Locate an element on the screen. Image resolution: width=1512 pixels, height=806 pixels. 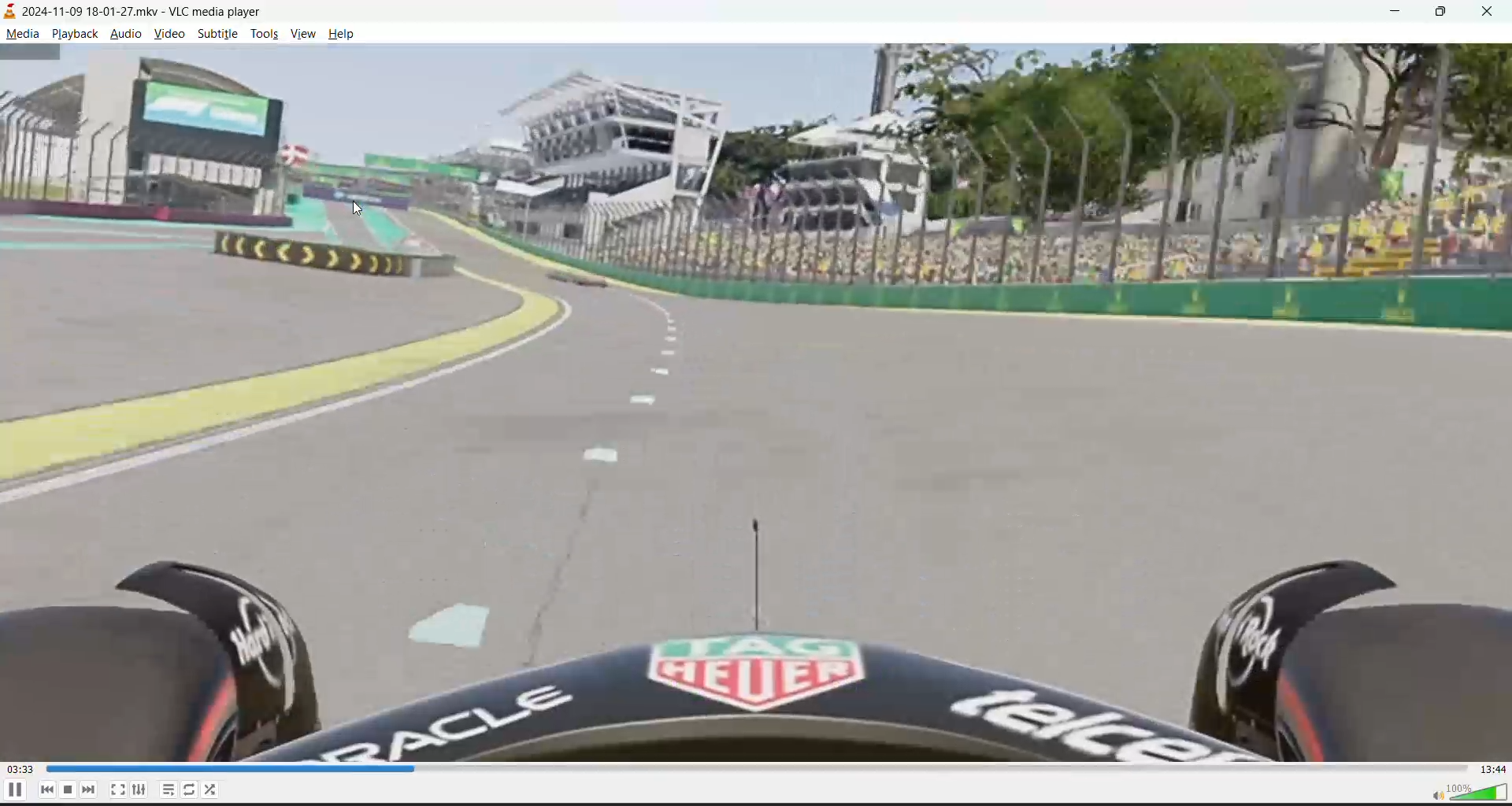
minimize is located at coordinates (1406, 14).